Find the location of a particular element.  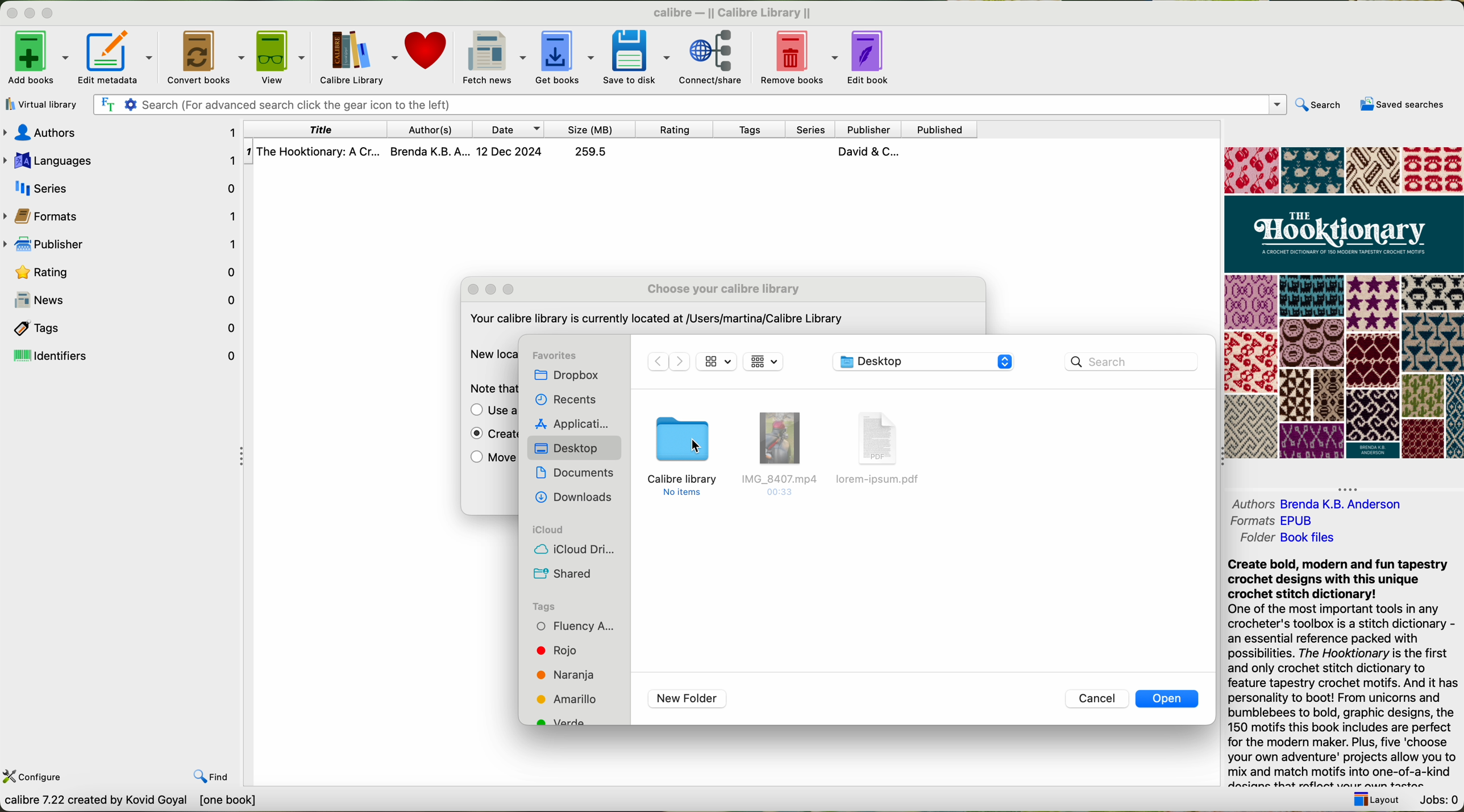

tags is located at coordinates (759, 128).